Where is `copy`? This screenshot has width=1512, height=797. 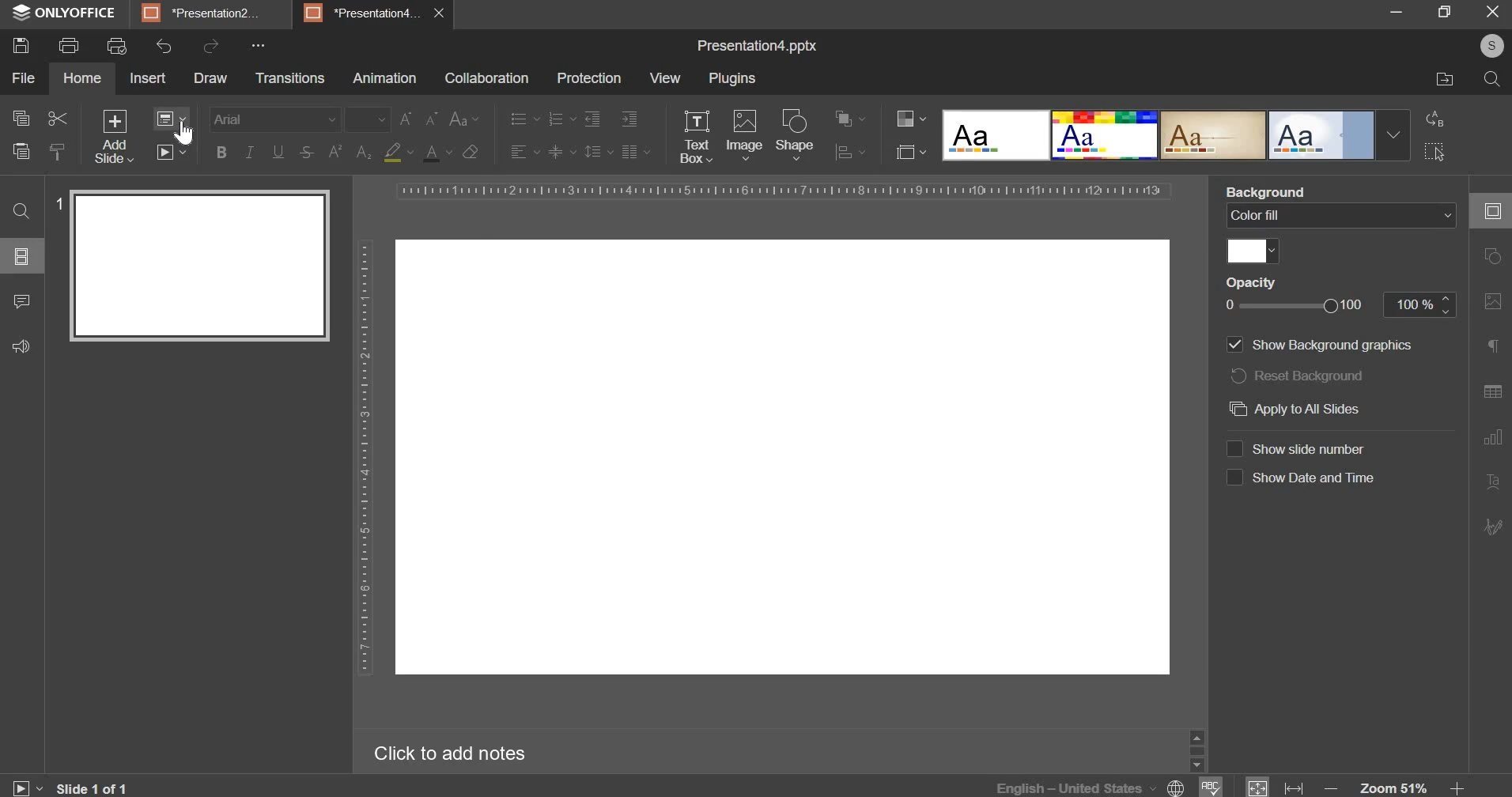
copy is located at coordinates (20, 119).